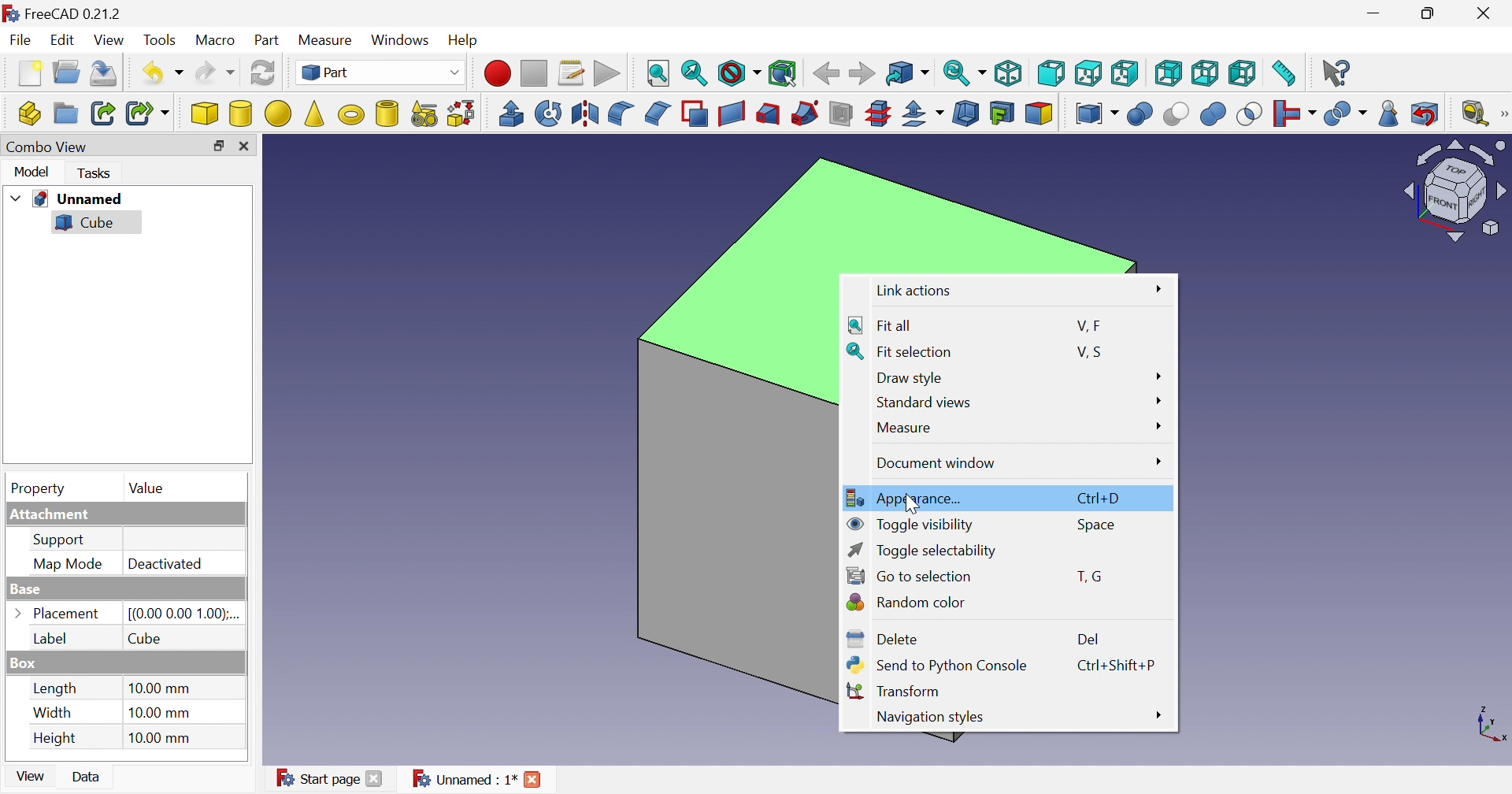 The image size is (1512, 794). I want to click on Space, so click(1097, 525).